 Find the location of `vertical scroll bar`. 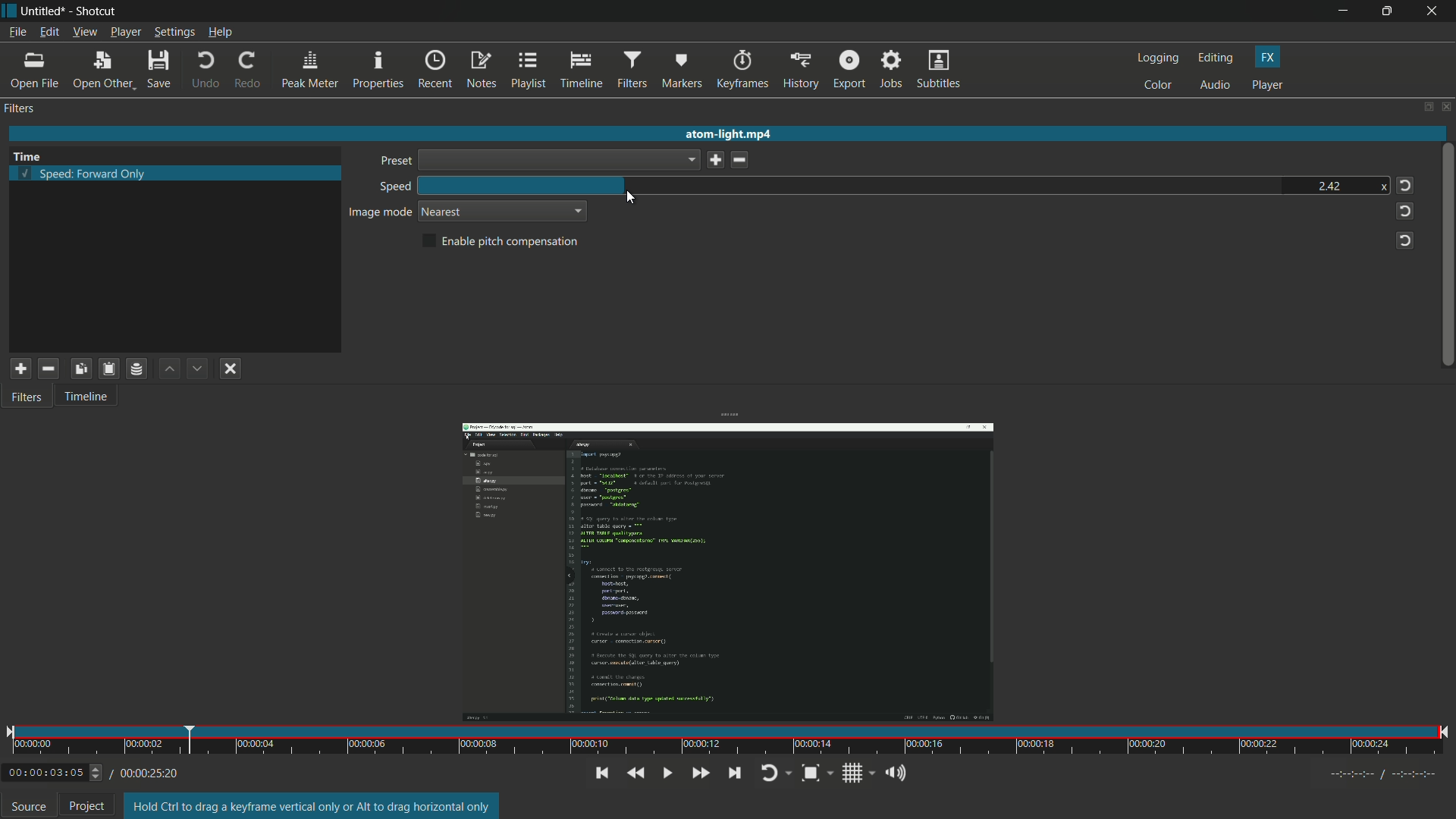

vertical scroll bar is located at coordinates (1446, 249).